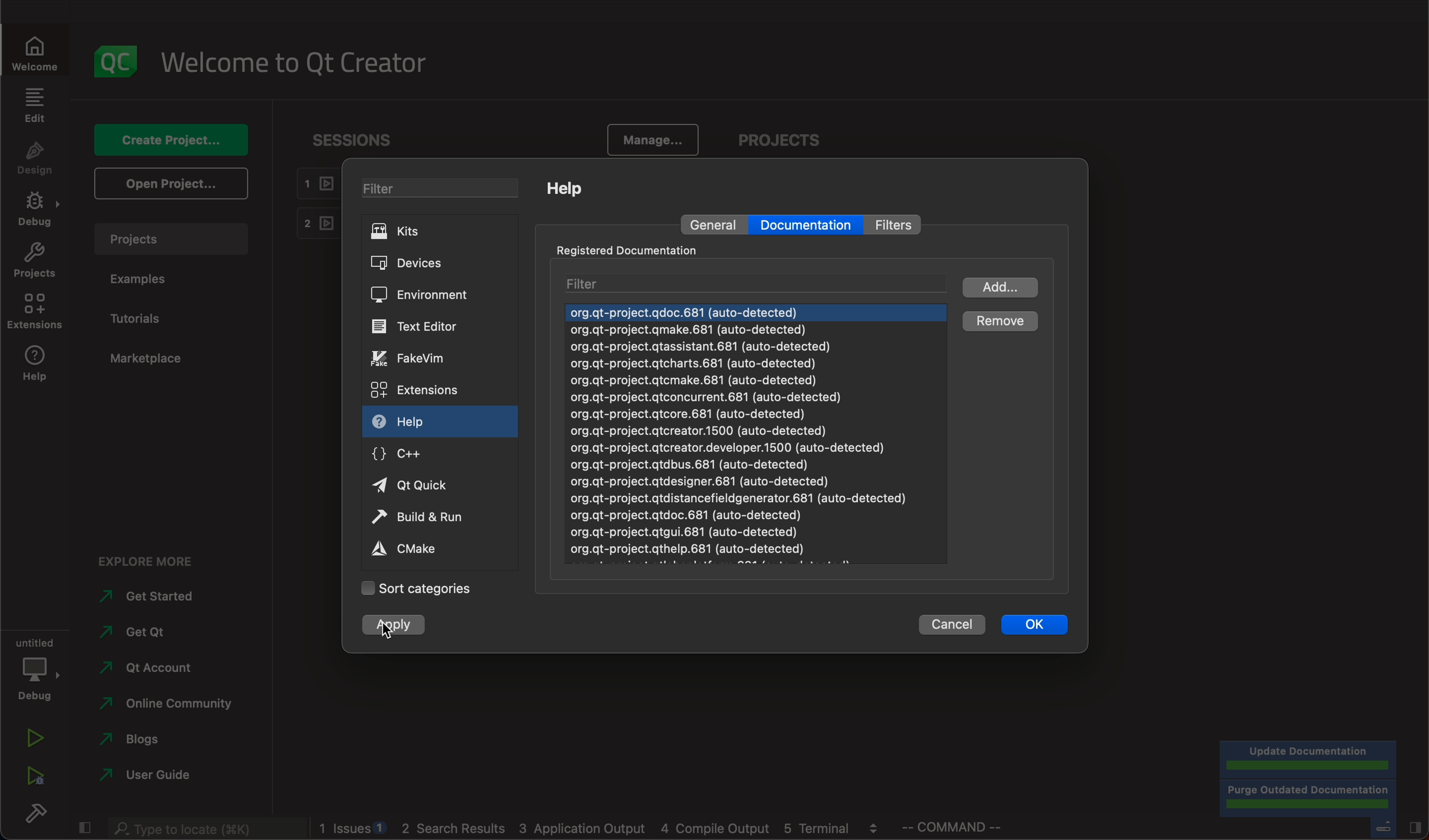  I want to click on c++, so click(407, 457).